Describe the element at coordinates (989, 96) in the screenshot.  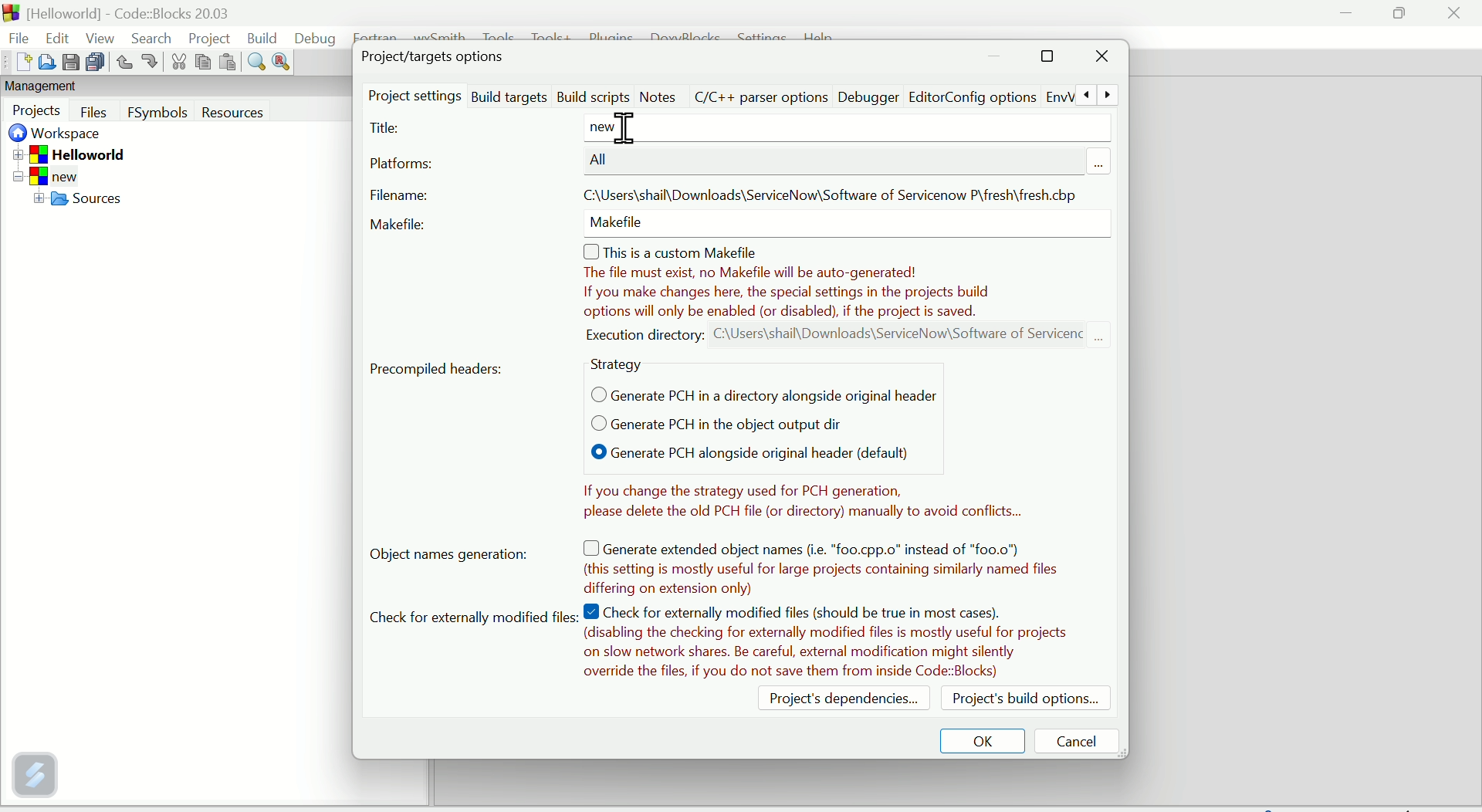
I see `Editor Config options` at that location.